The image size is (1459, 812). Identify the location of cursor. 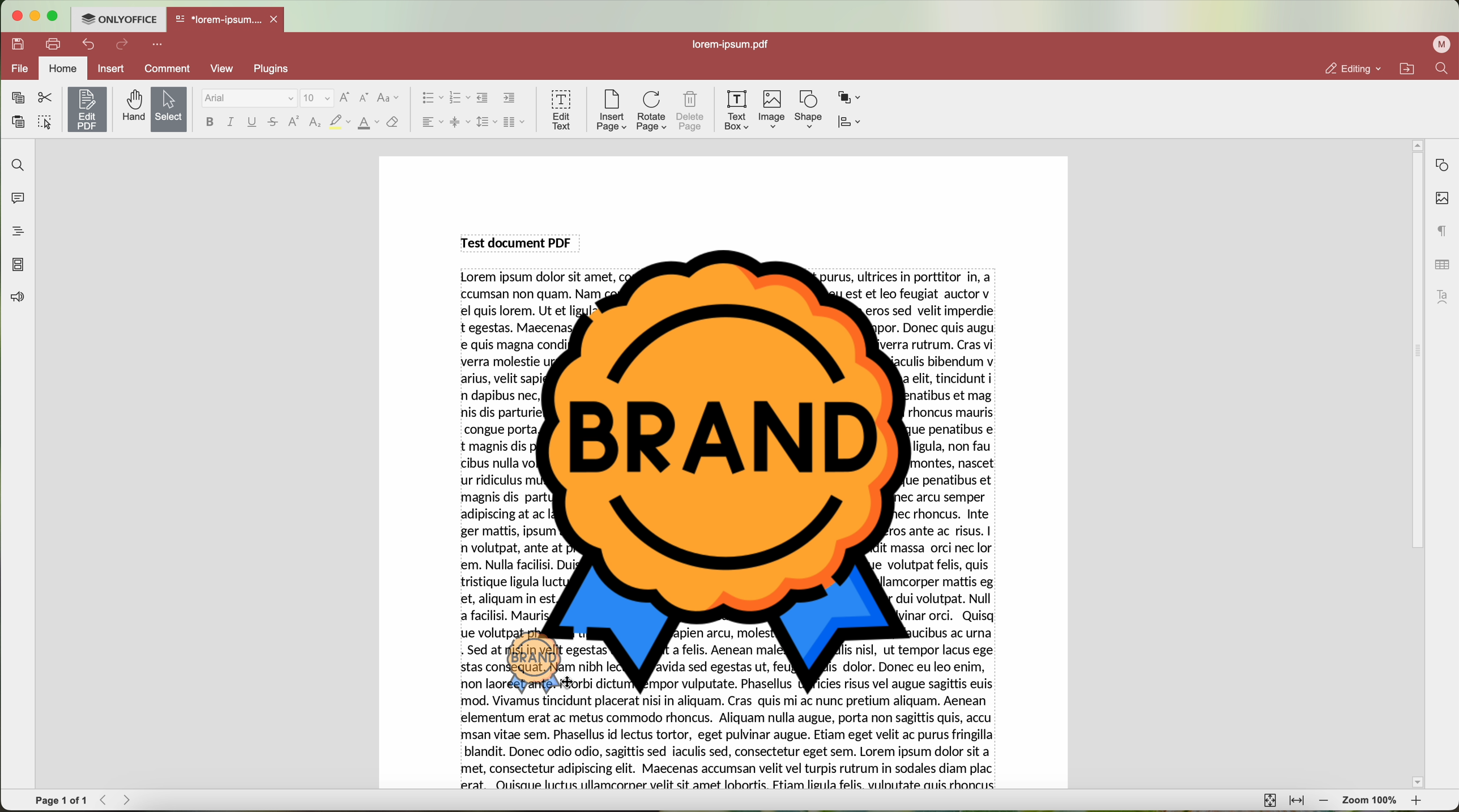
(570, 681).